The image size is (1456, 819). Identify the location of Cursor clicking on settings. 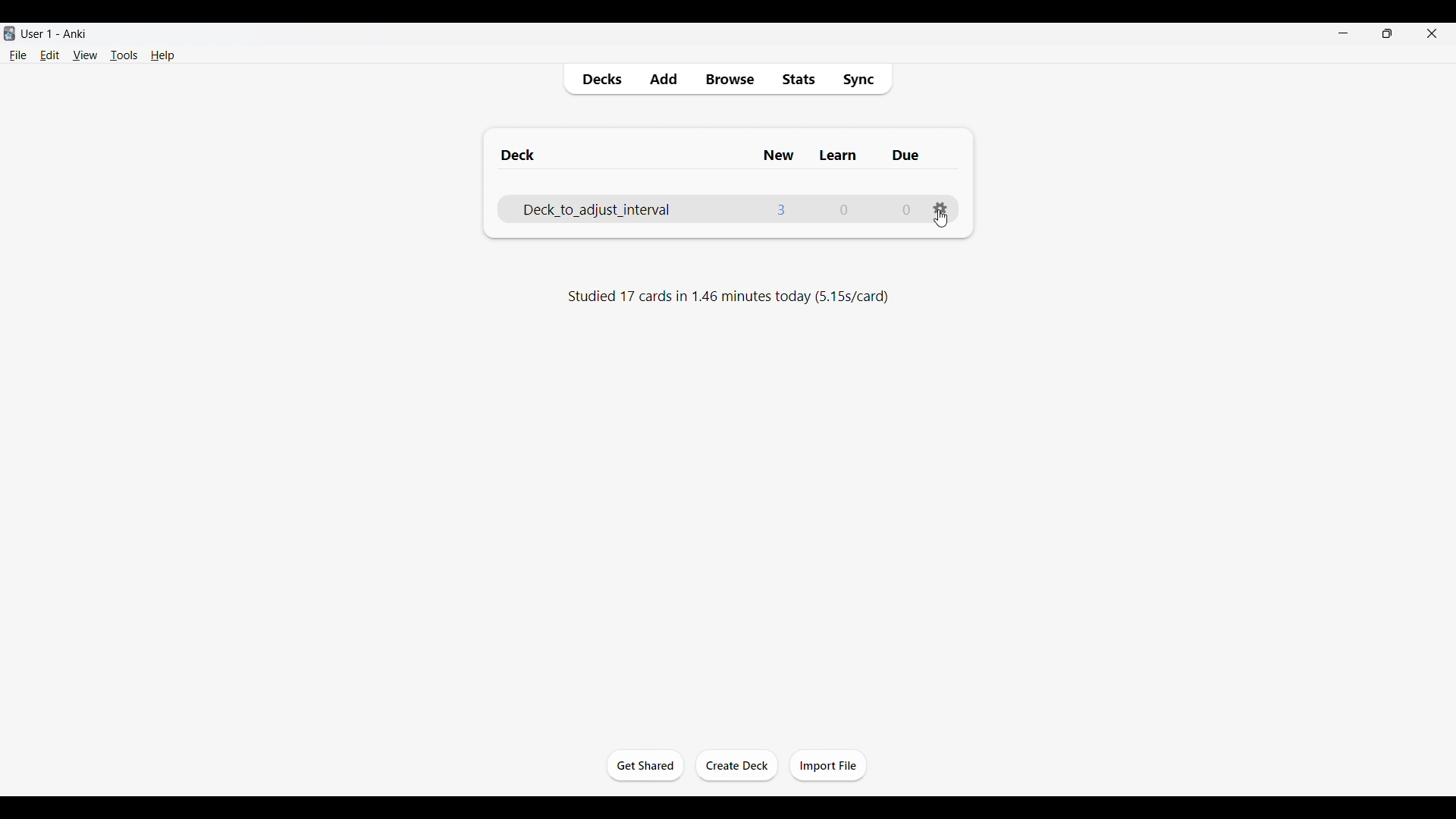
(941, 219).